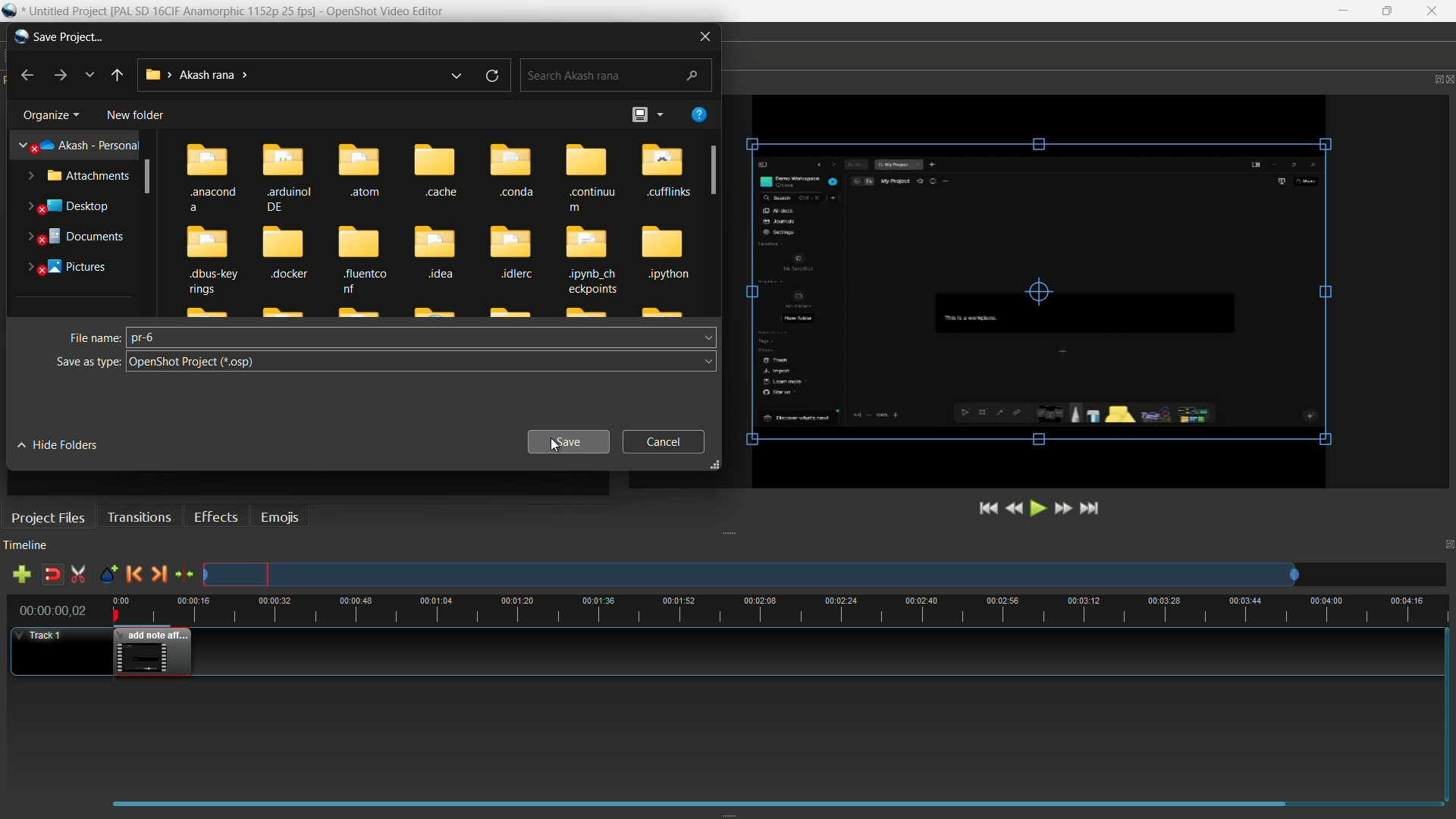 The image size is (1456, 819). Describe the element at coordinates (89, 75) in the screenshot. I see `recent location` at that location.